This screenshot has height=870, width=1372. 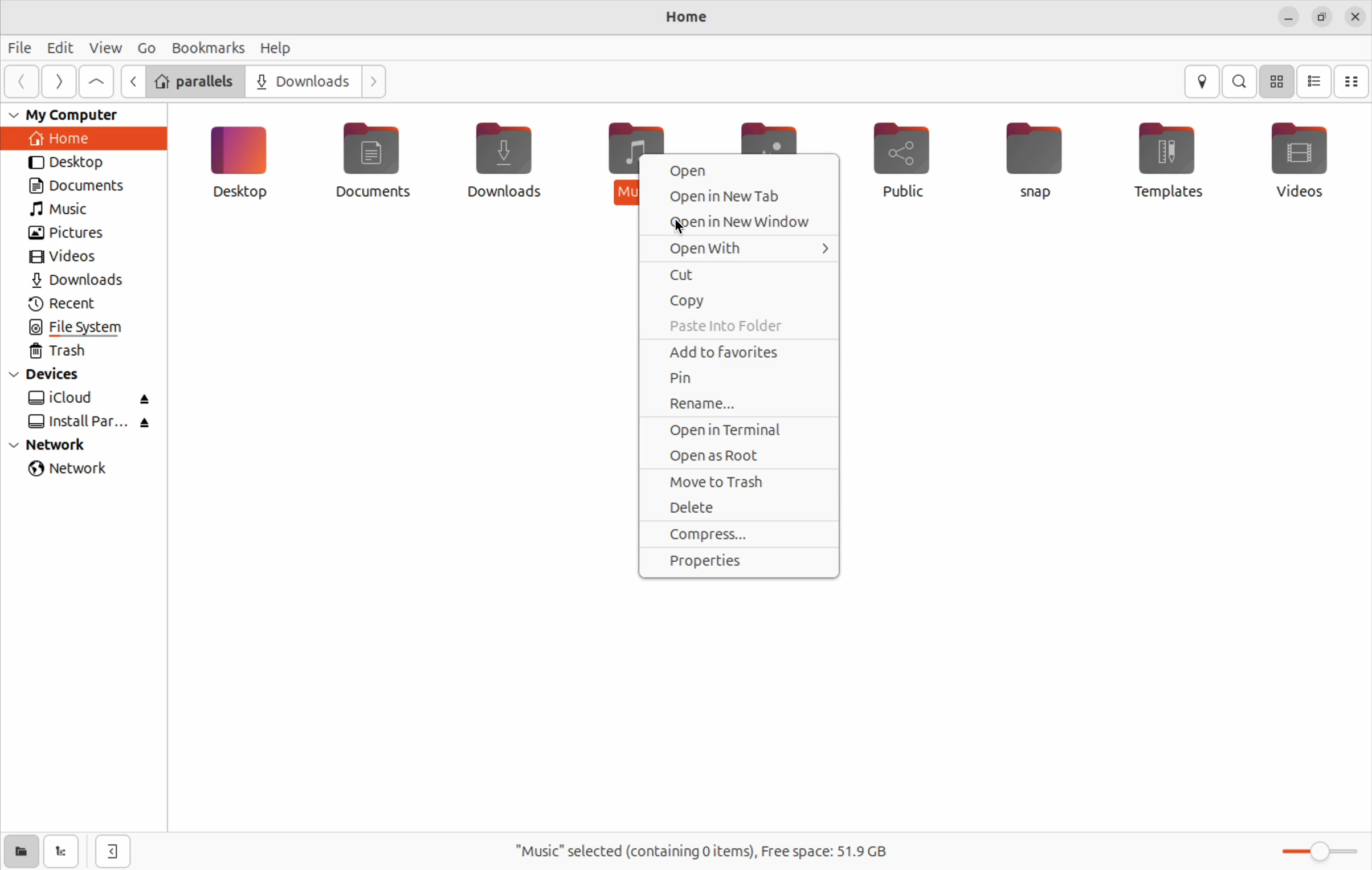 What do you see at coordinates (88, 281) in the screenshot?
I see `downloads` at bounding box center [88, 281].